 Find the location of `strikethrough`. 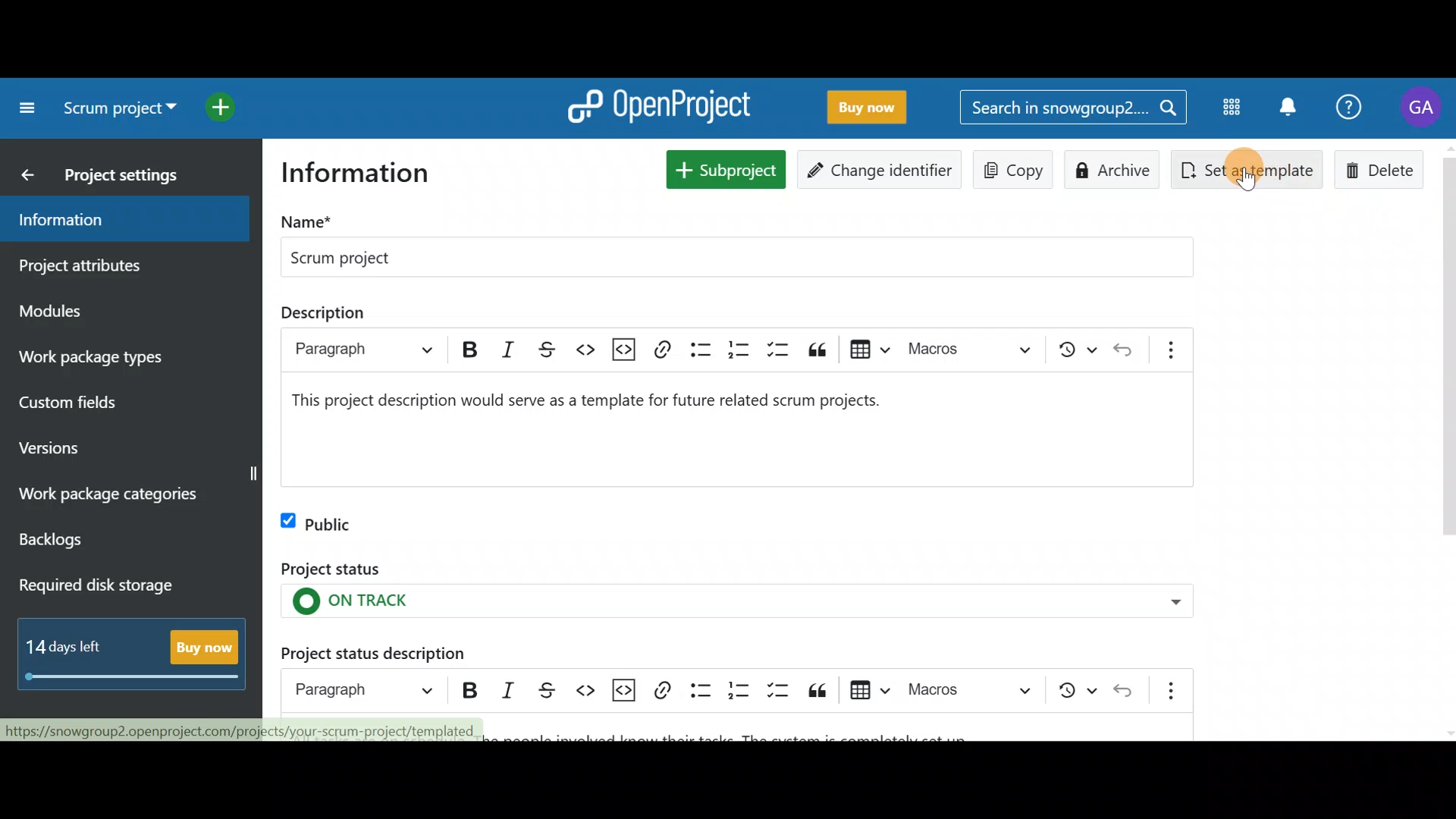

strikethrough is located at coordinates (546, 350).